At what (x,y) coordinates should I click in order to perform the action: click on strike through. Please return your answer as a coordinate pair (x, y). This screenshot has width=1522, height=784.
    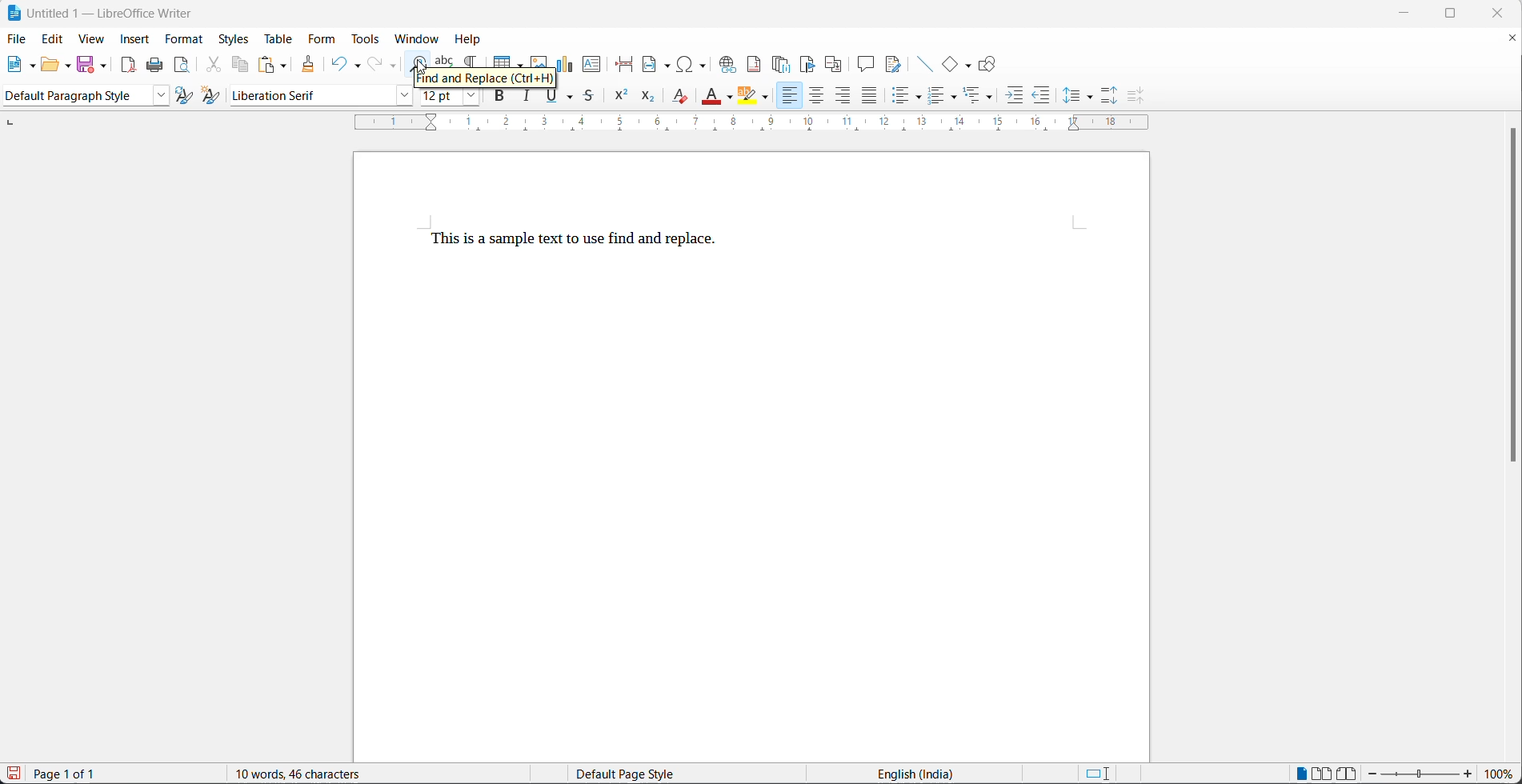
    Looking at the image, I should click on (591, 98).